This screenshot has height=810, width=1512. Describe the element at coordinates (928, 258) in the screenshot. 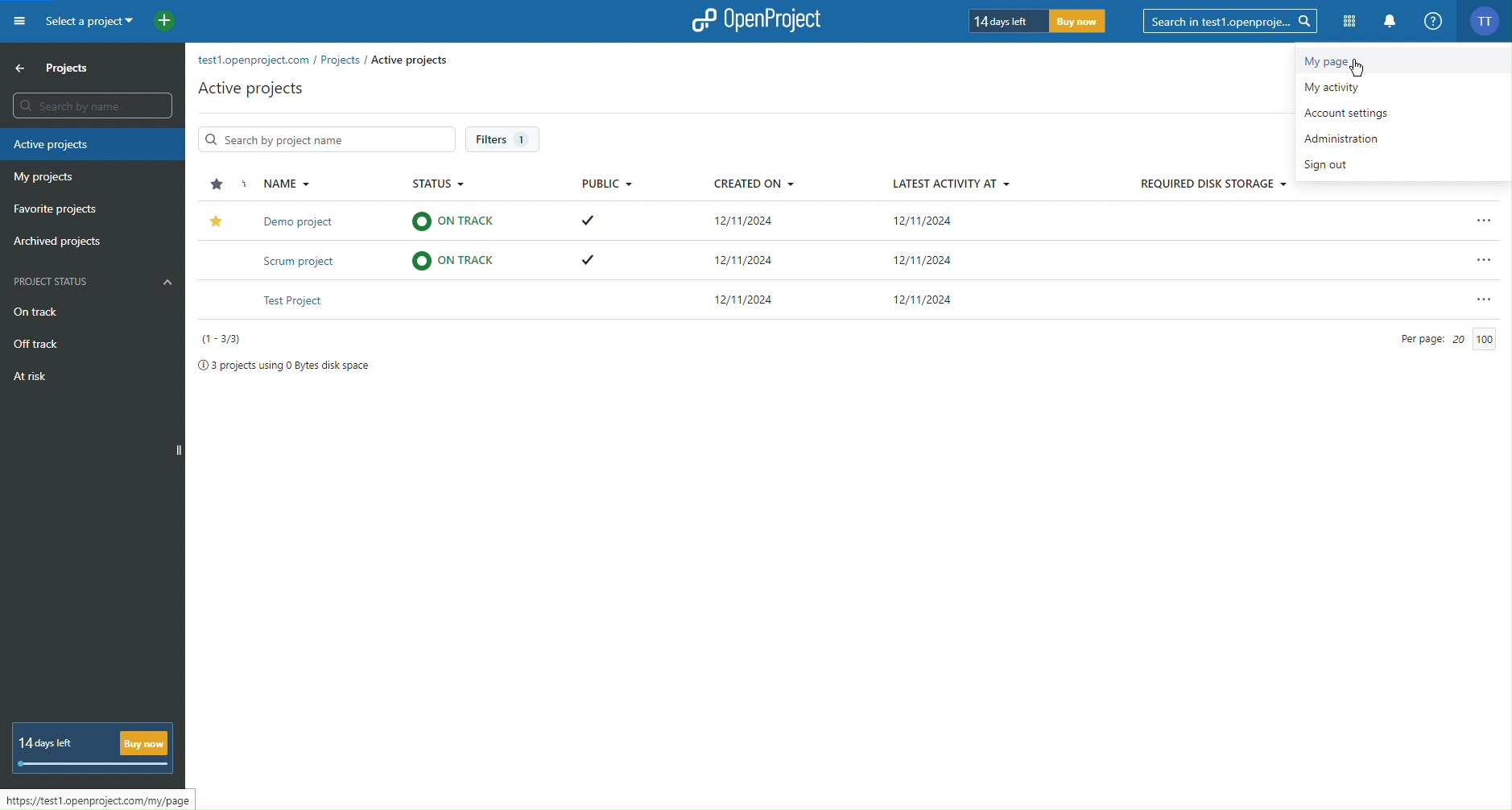

I see `12/11/2024` at that location.